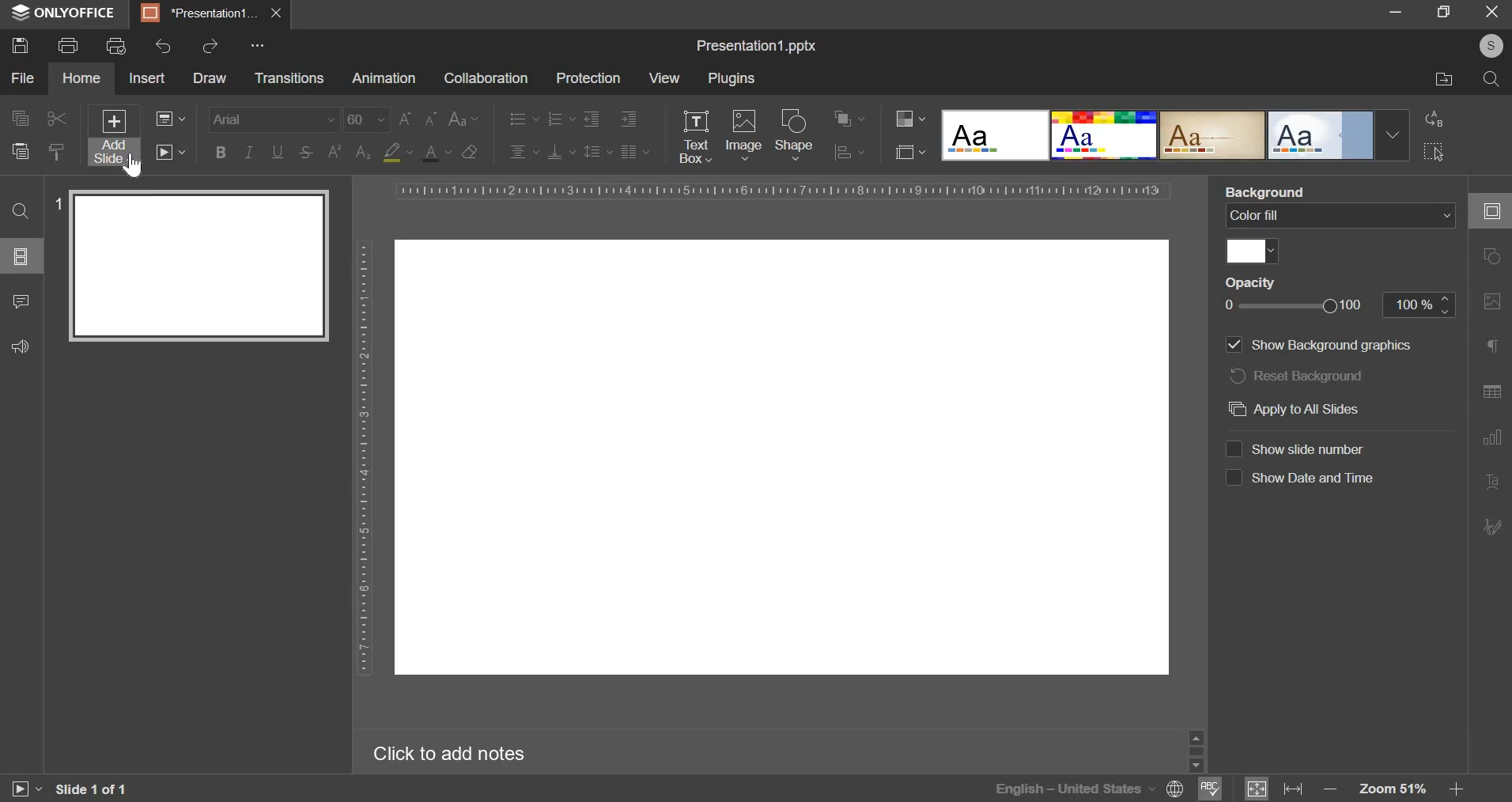 The image size is (1512, 802). What do you see at coordinates (1332, 790) in the screenshot?
I see `zoom out` at bounding box center [1332, 790].